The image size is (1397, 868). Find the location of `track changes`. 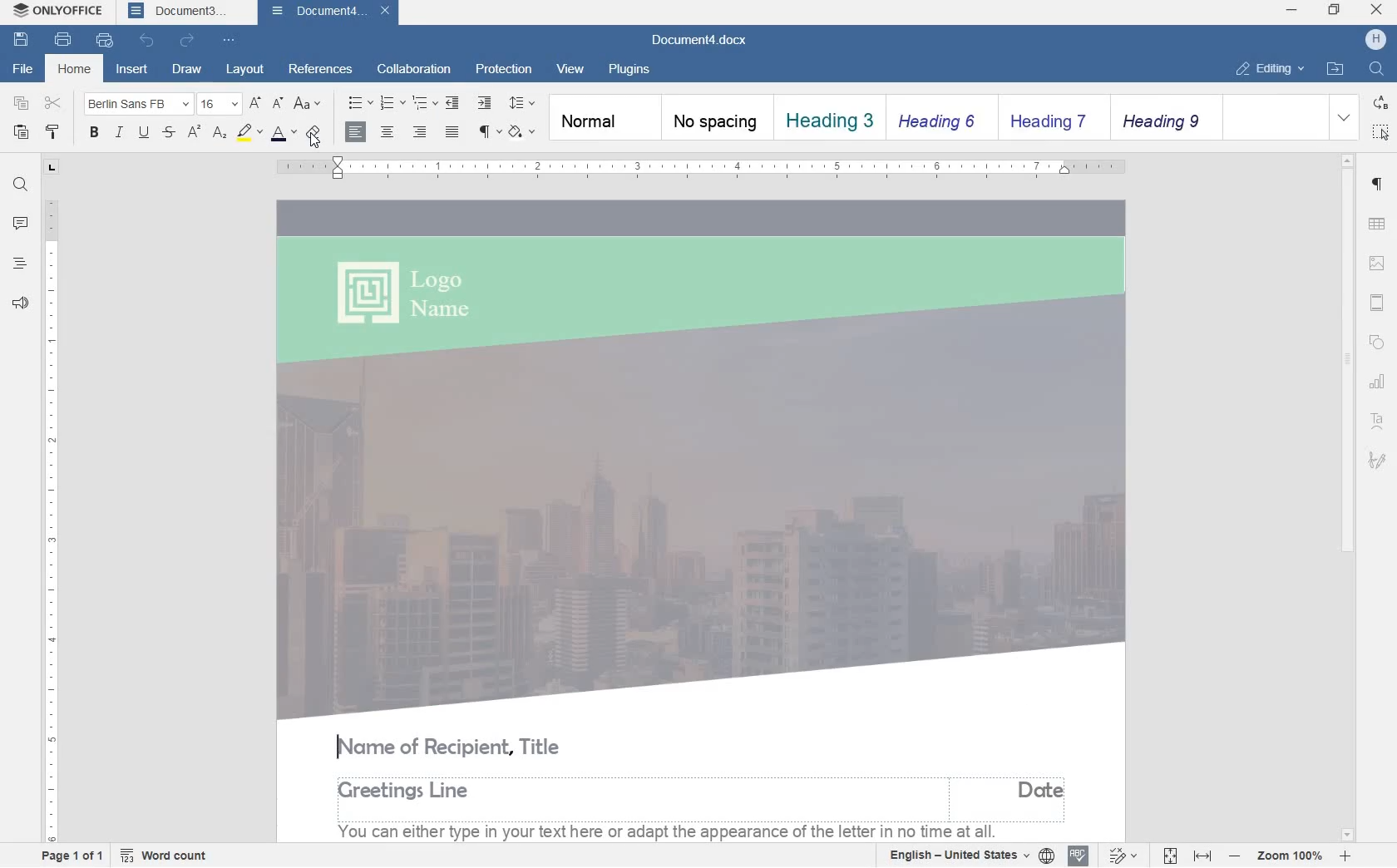

track changes is located at coordinates (1123, 855).